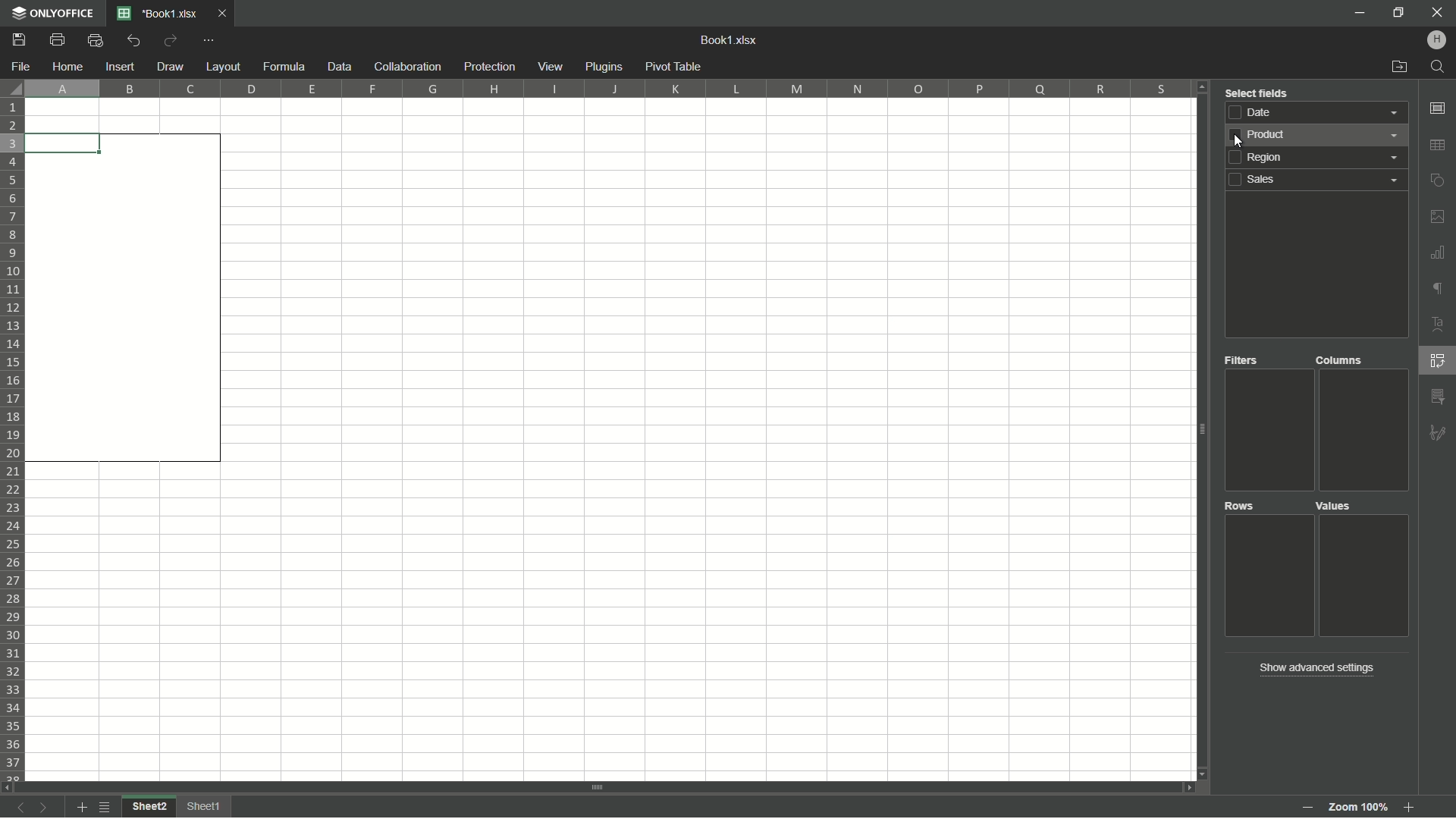 This screenshot has height=819, width=1456. Describe the element at coordinates (159, 14) in the screenshot. I see `File name ` at that location.